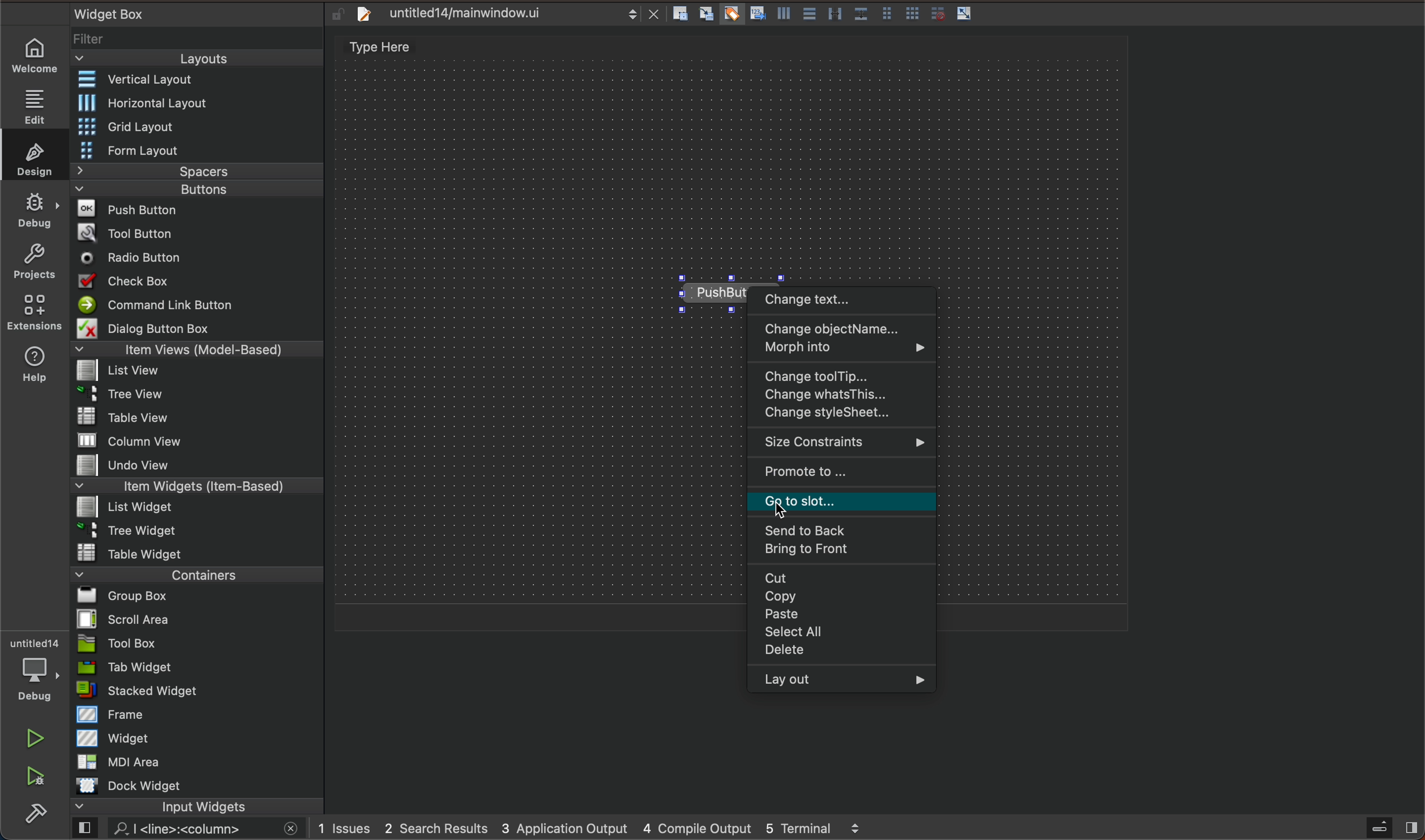  Describe the element at coordinates (32, 212) in the screenshot. I see `DE` at that location.